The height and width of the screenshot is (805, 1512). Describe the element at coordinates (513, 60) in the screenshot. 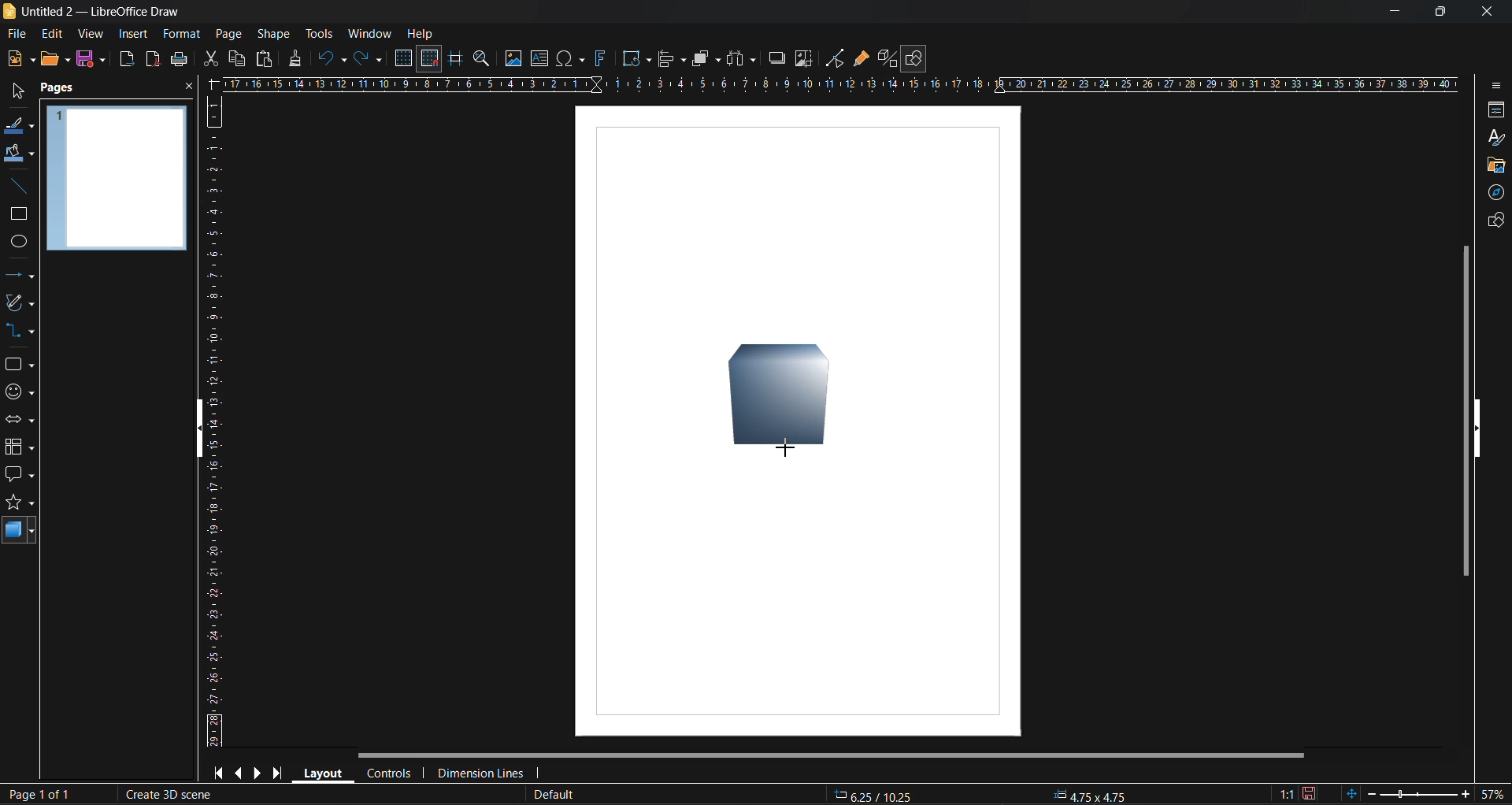

I see `image` at that location.